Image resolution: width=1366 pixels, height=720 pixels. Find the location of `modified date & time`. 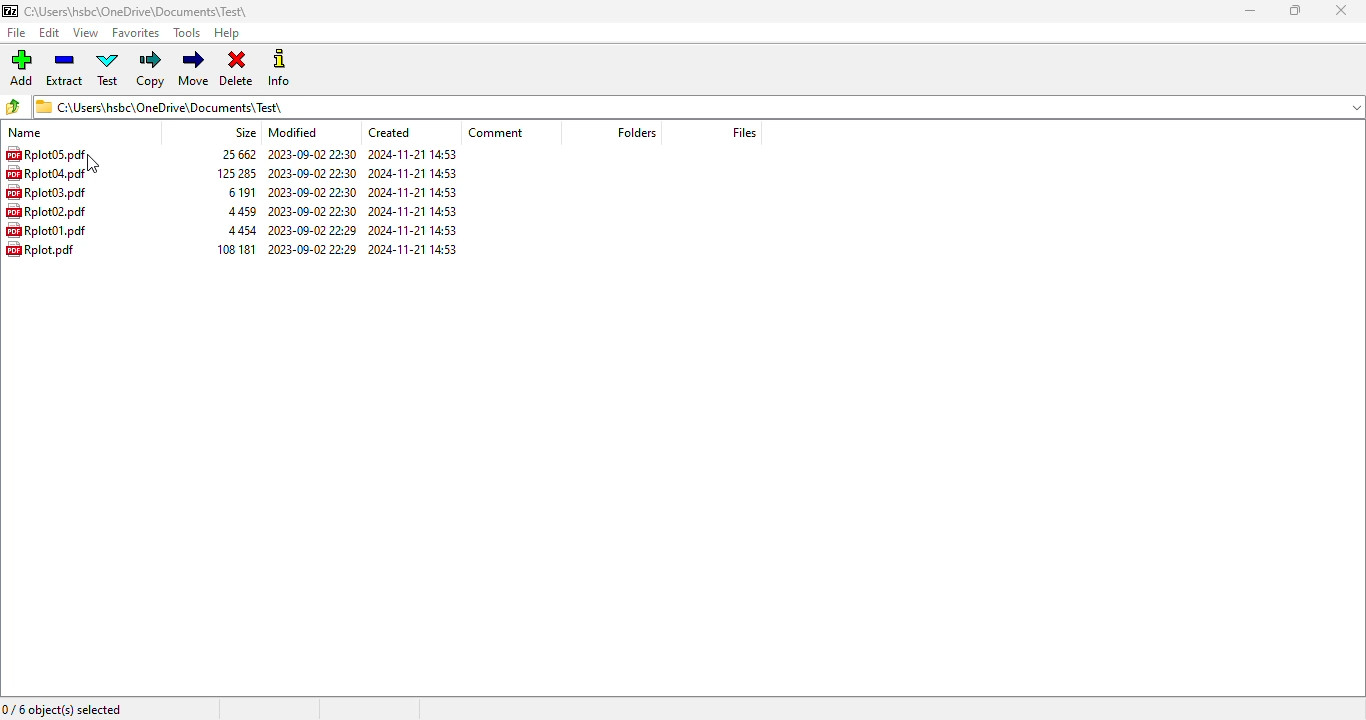

modified date & time is located at coordinates (313, 248).